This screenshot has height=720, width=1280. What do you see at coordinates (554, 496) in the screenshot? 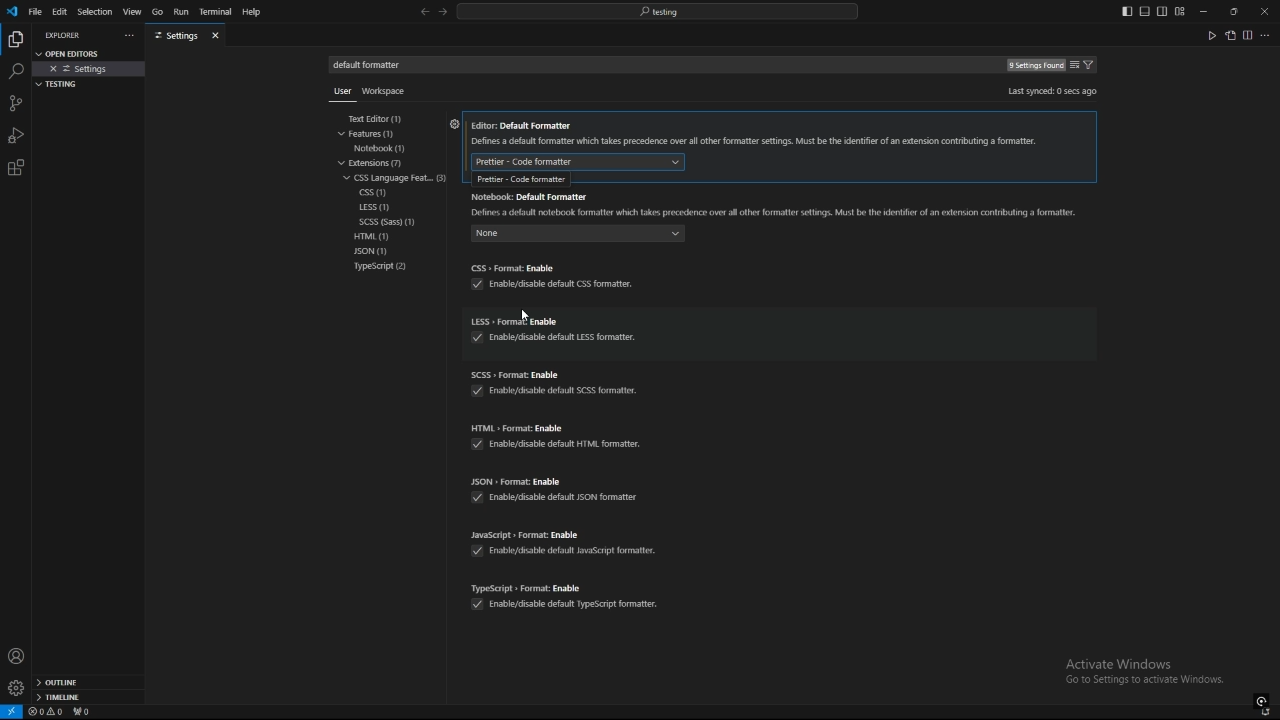
I see `enable /disable default json formatter` at bounding box center [554, 496].